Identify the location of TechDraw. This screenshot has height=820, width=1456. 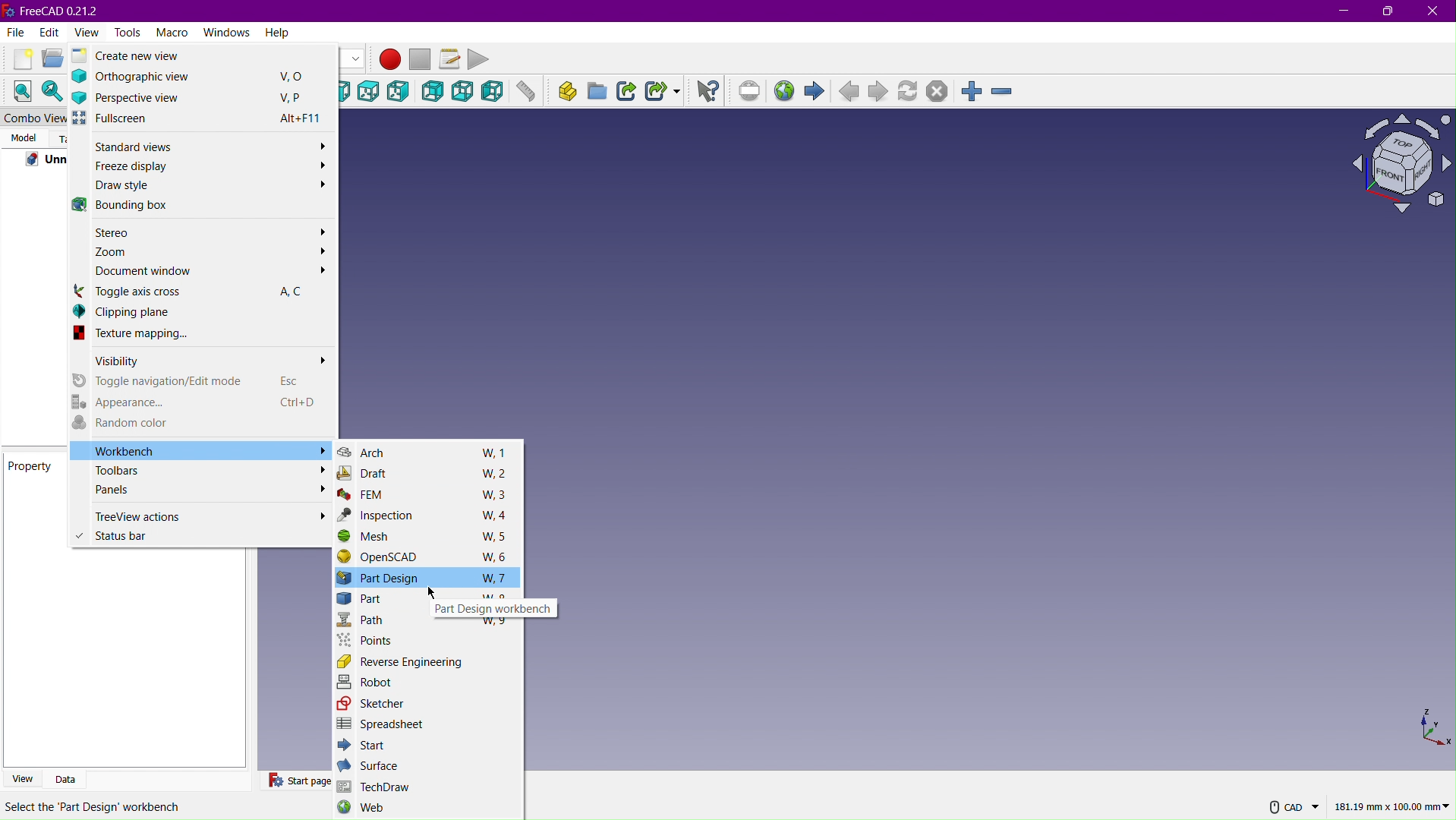
(372, 787).